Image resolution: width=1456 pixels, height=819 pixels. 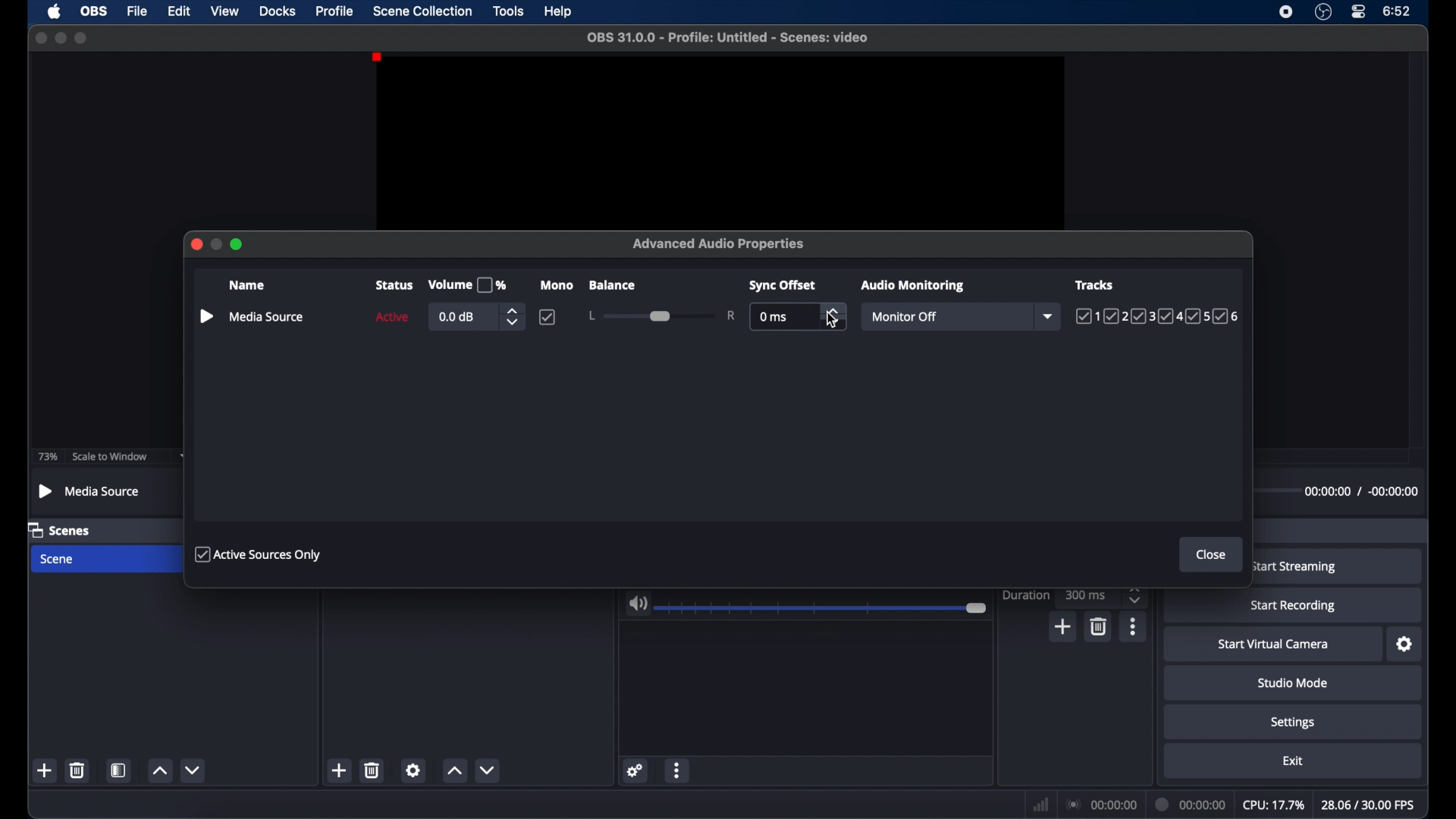 I want to click on minimize, so click(x=60, y=37).